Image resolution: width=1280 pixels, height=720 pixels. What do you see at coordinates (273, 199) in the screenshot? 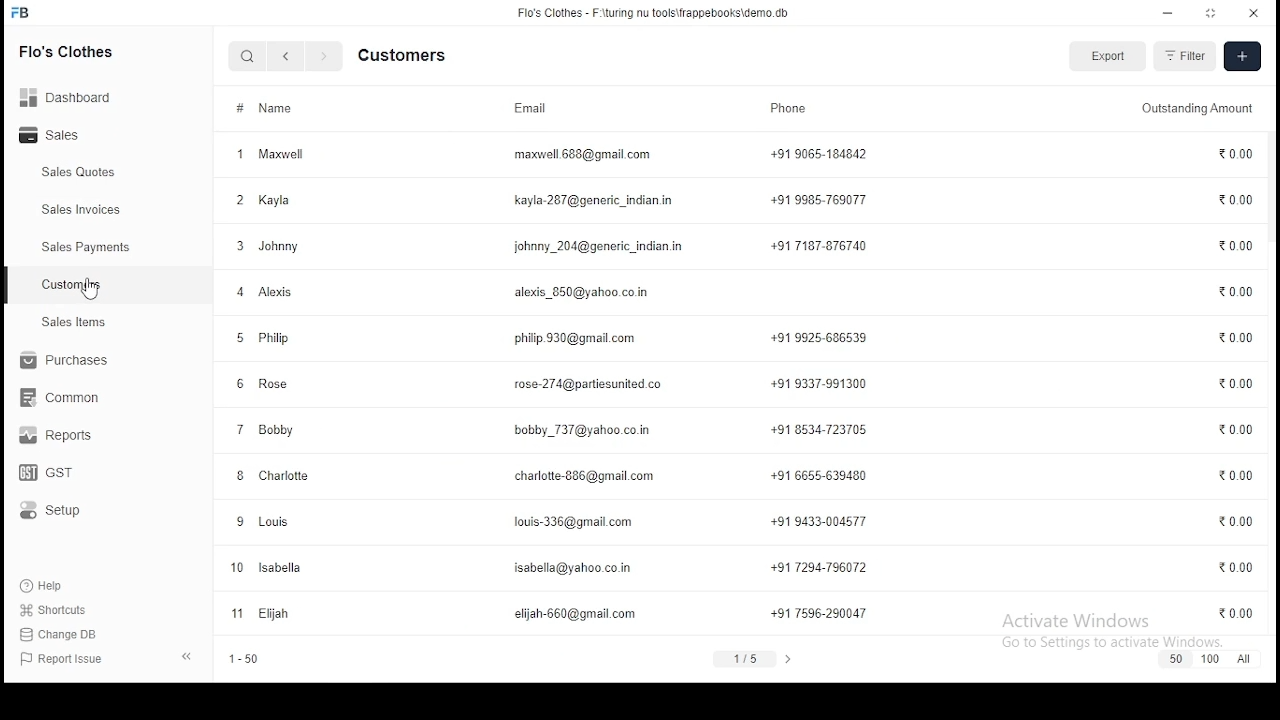
I see `Kayla` at bounding box center [273, 199].